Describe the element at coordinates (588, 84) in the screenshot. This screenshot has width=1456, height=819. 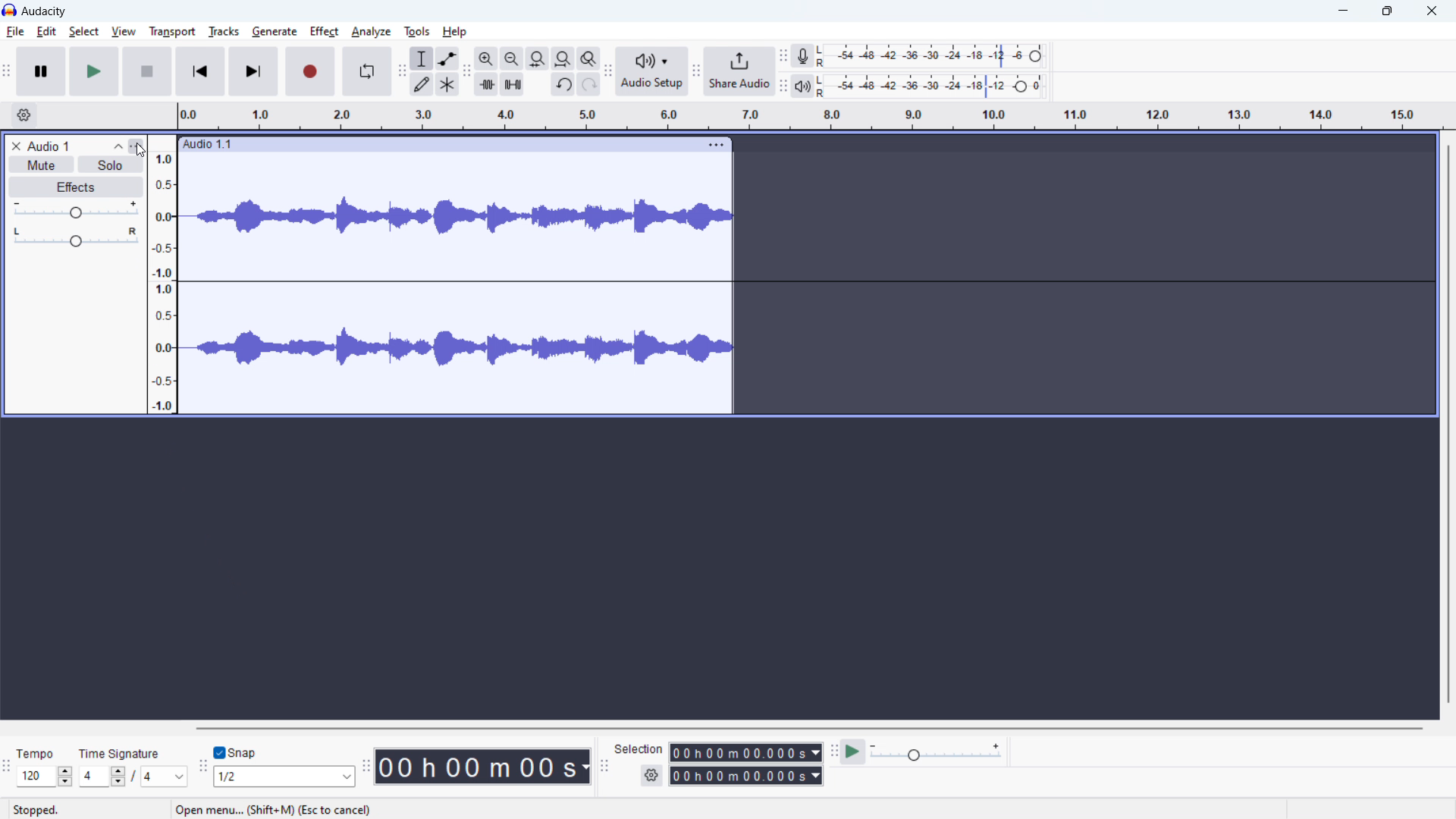
I see `redo` at that location.